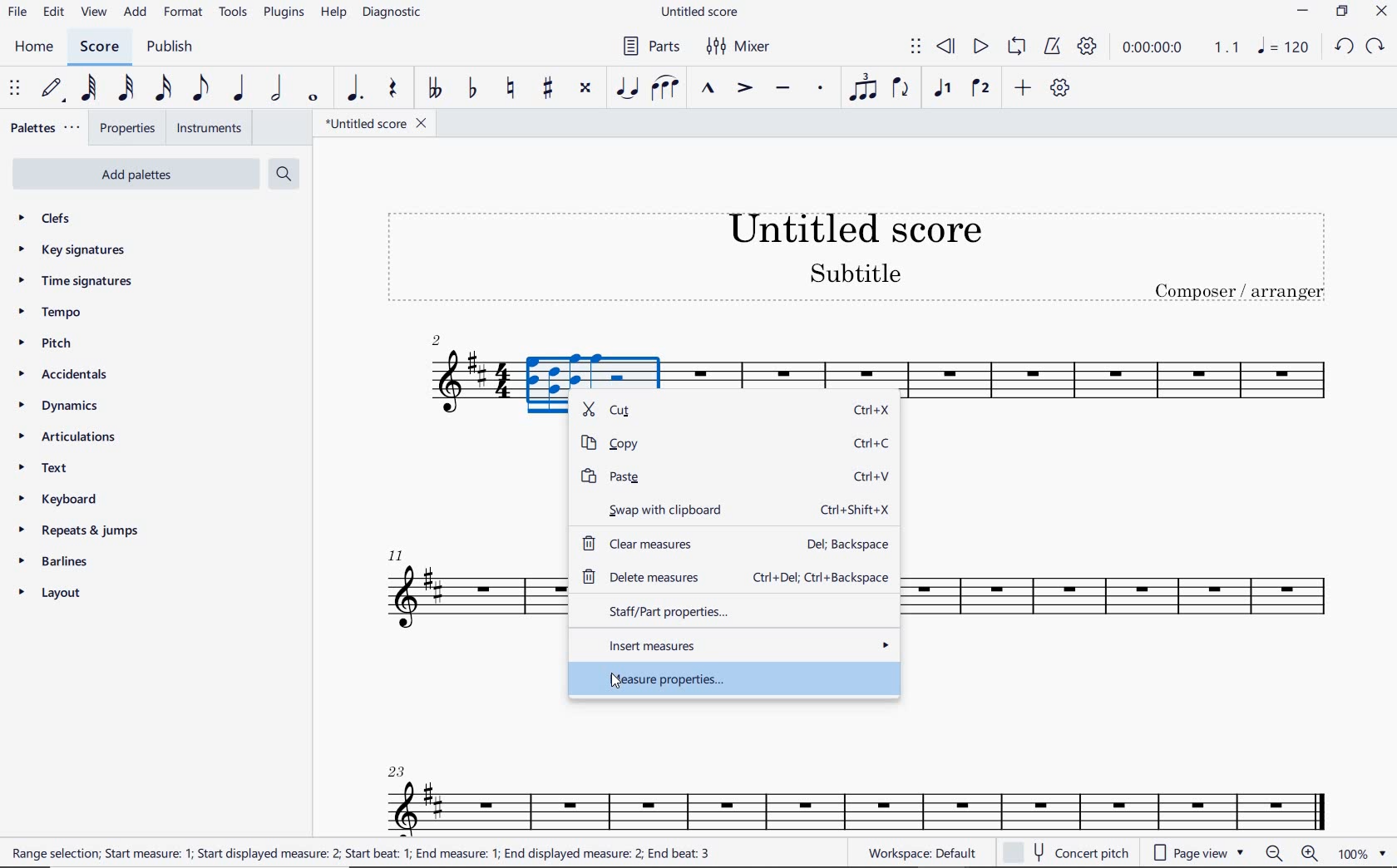 Image resolution: width=1397 pixels, height=868 pixels. Describe the element at coordinates (126, 89) in the screenshot. I see `32ND NOTE` at that location.